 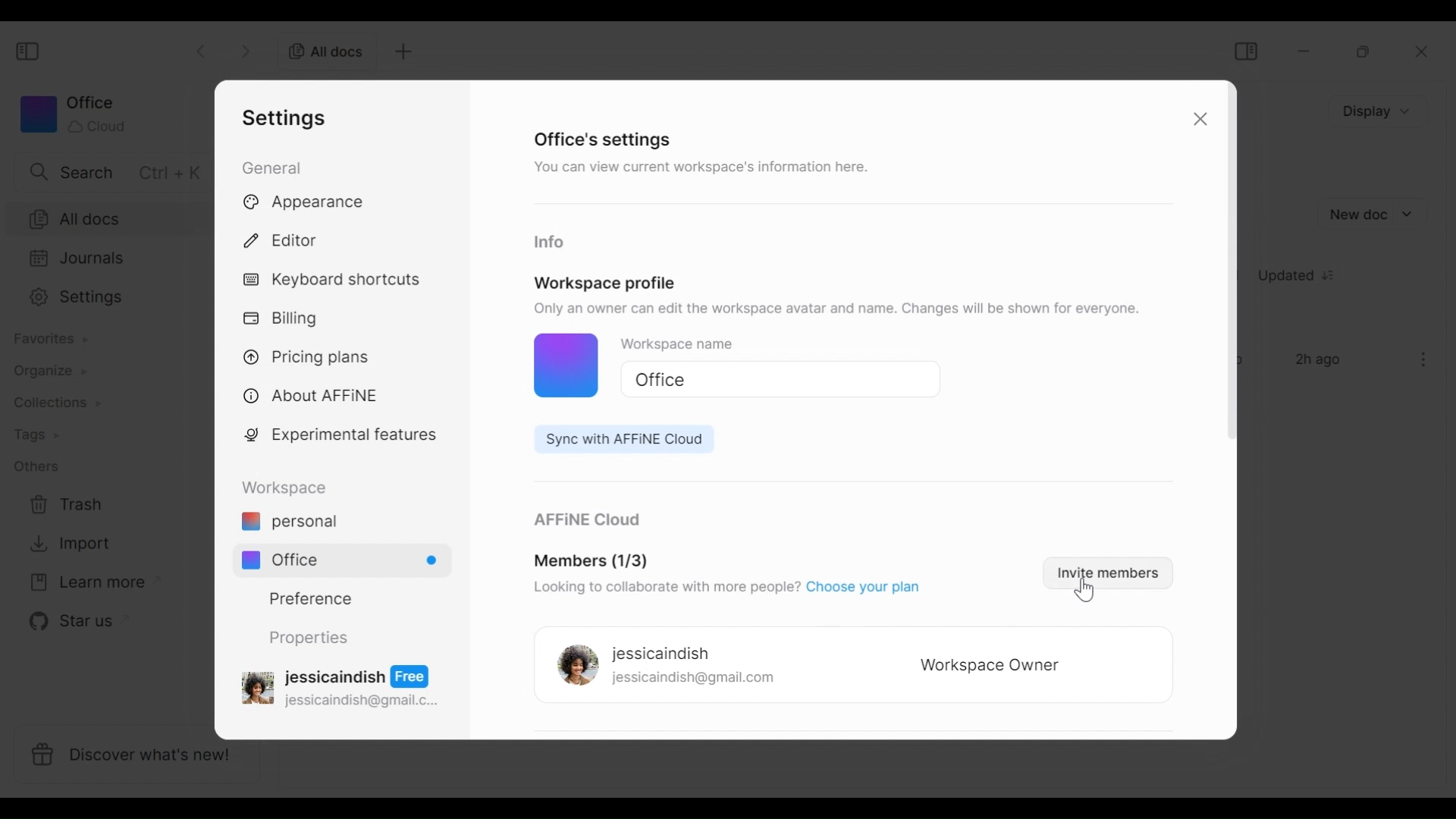 I want to click on Profile, so click(x=573, y=667).